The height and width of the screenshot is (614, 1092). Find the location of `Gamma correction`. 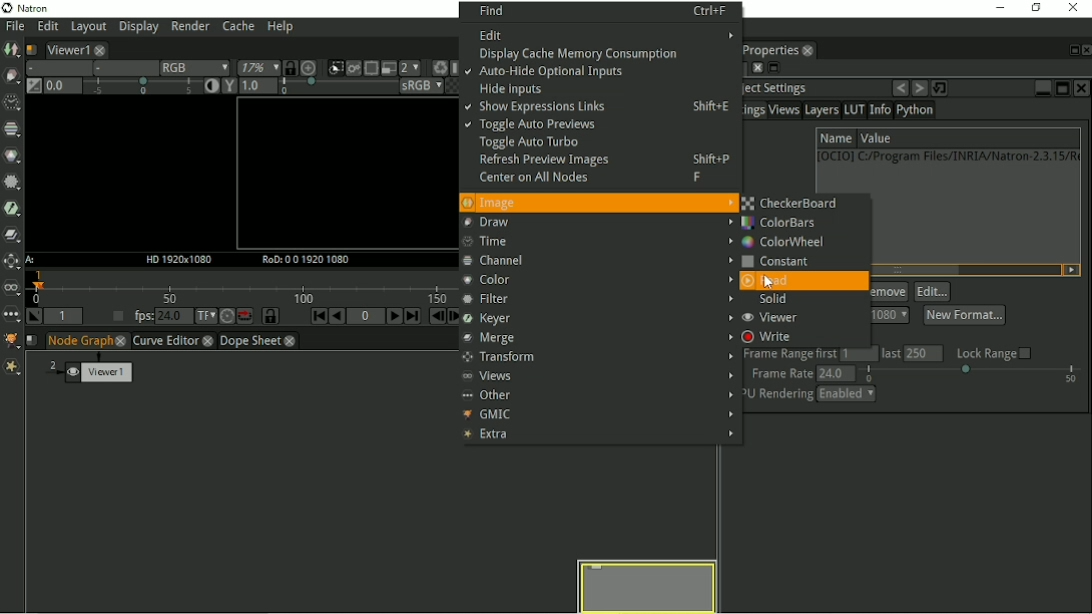

Gamma correction is located at coordinates (303, 87).